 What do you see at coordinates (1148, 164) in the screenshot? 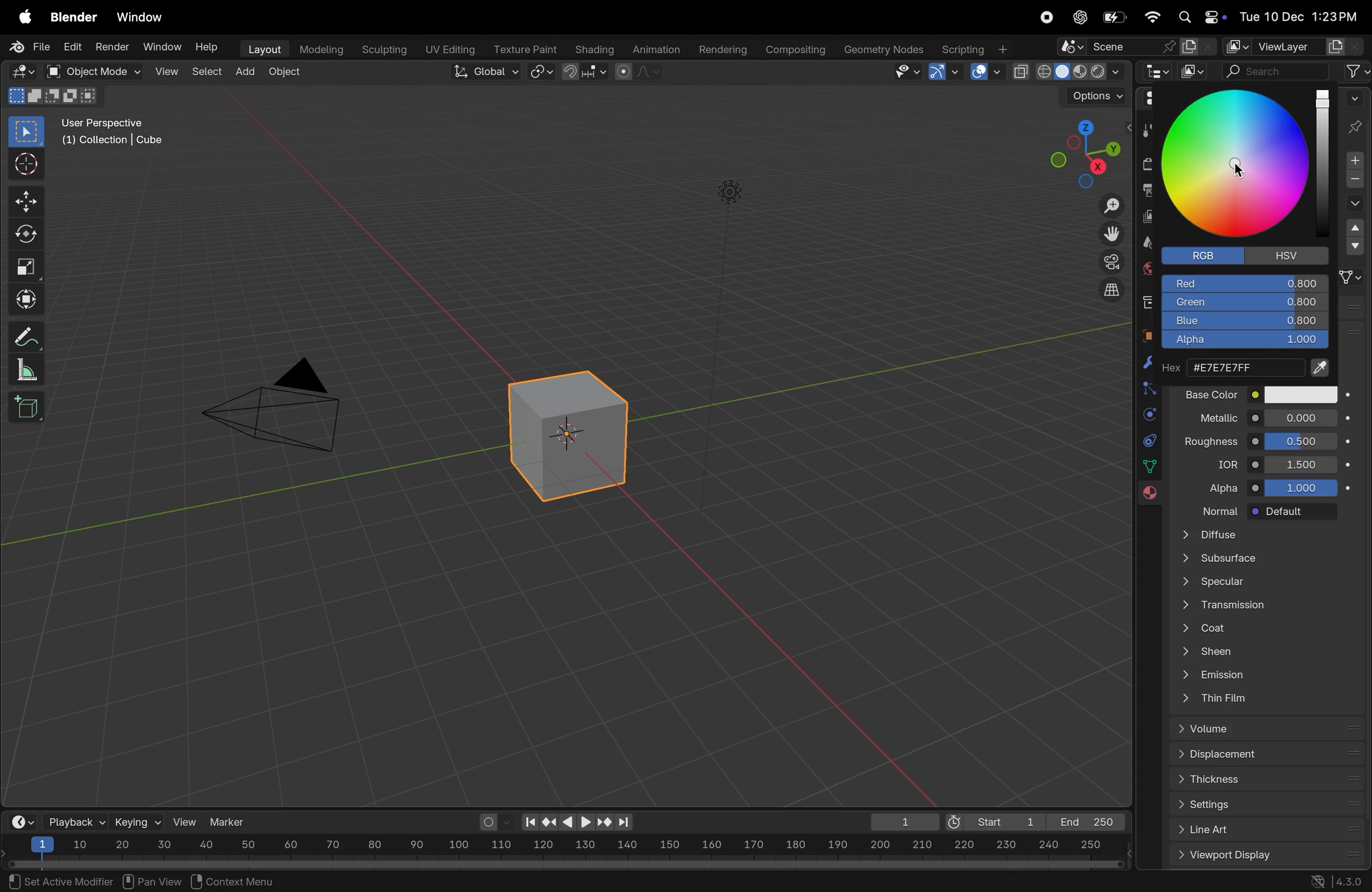
I see `render` at bounding box center [1148, 164].